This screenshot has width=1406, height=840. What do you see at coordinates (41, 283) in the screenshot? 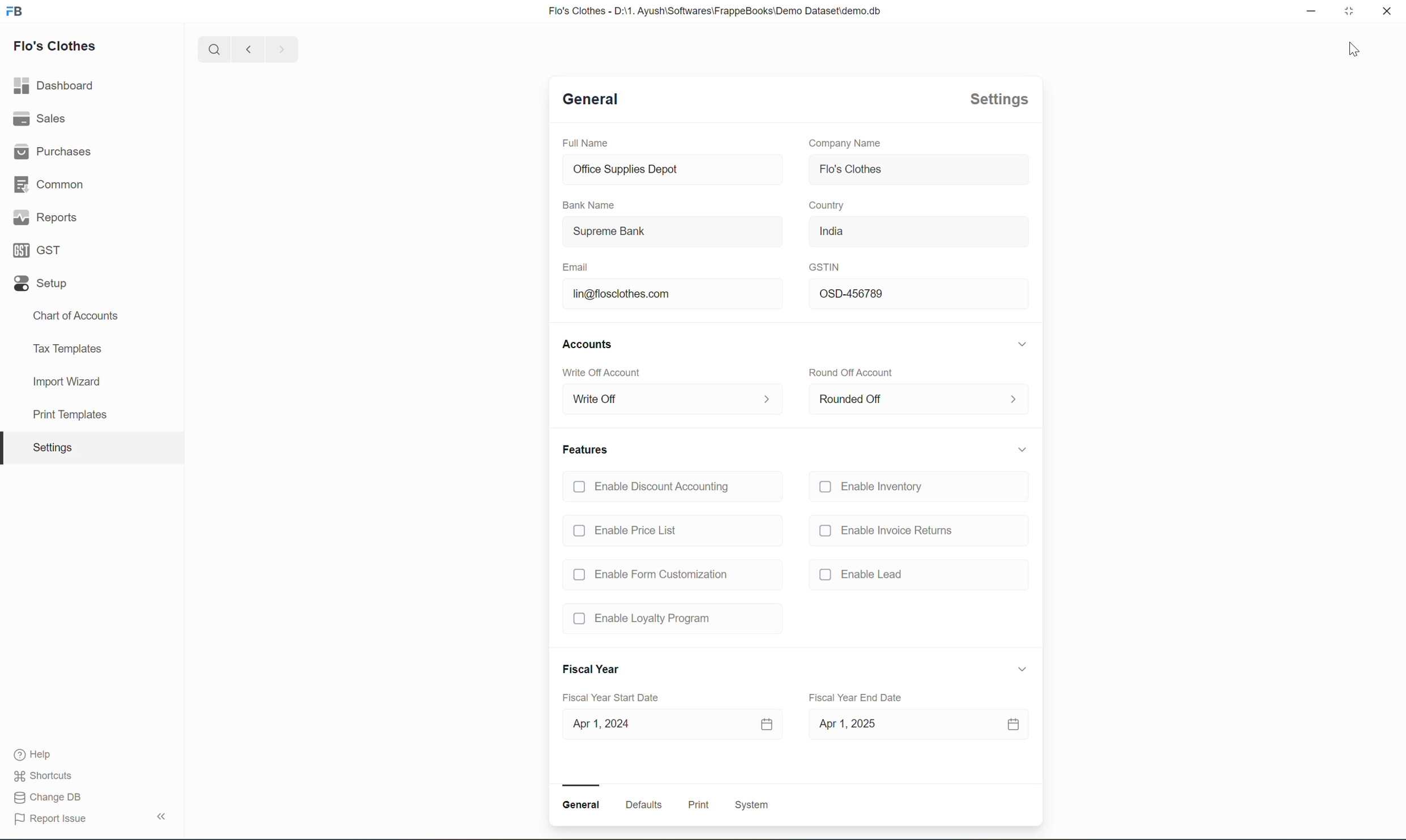
I see `Setup` at bounding box center [41, 283].